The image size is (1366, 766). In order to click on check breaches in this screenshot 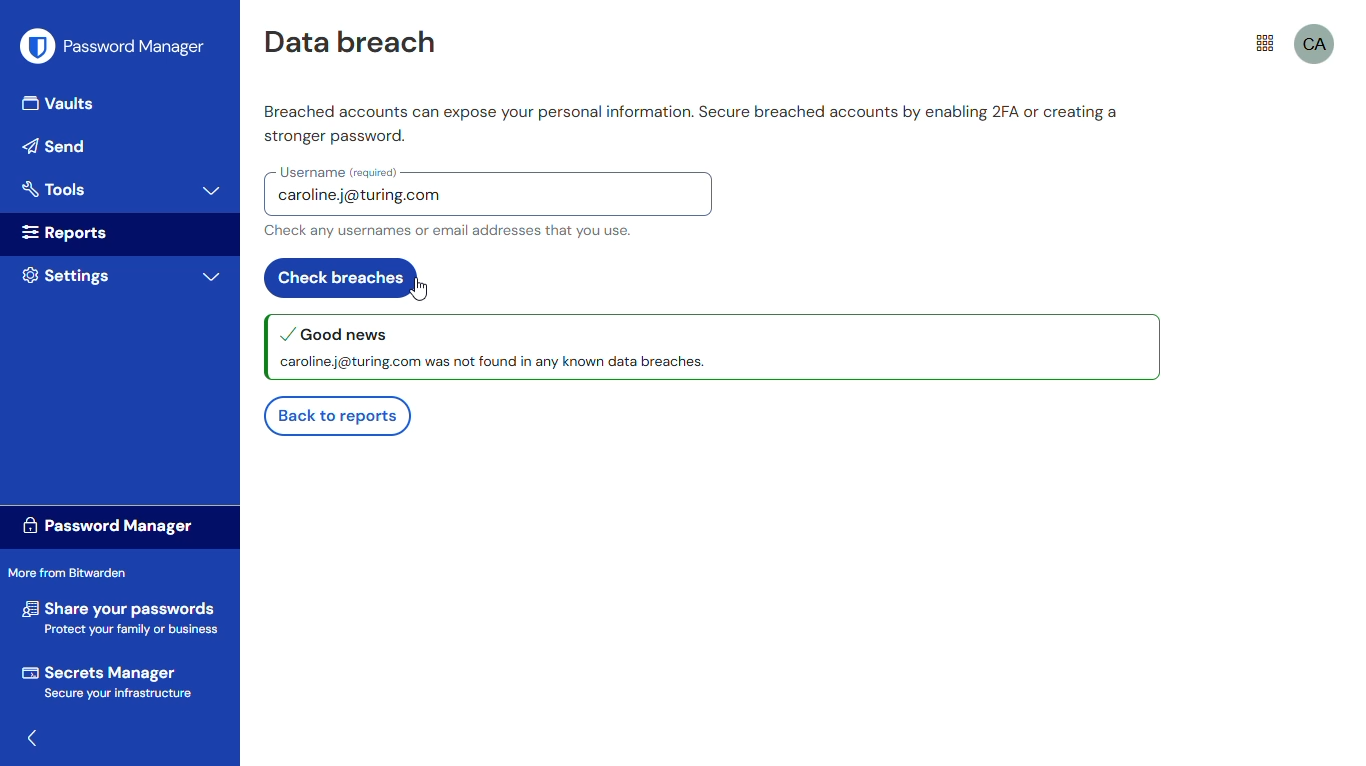, I will do `click(341, 278)`.